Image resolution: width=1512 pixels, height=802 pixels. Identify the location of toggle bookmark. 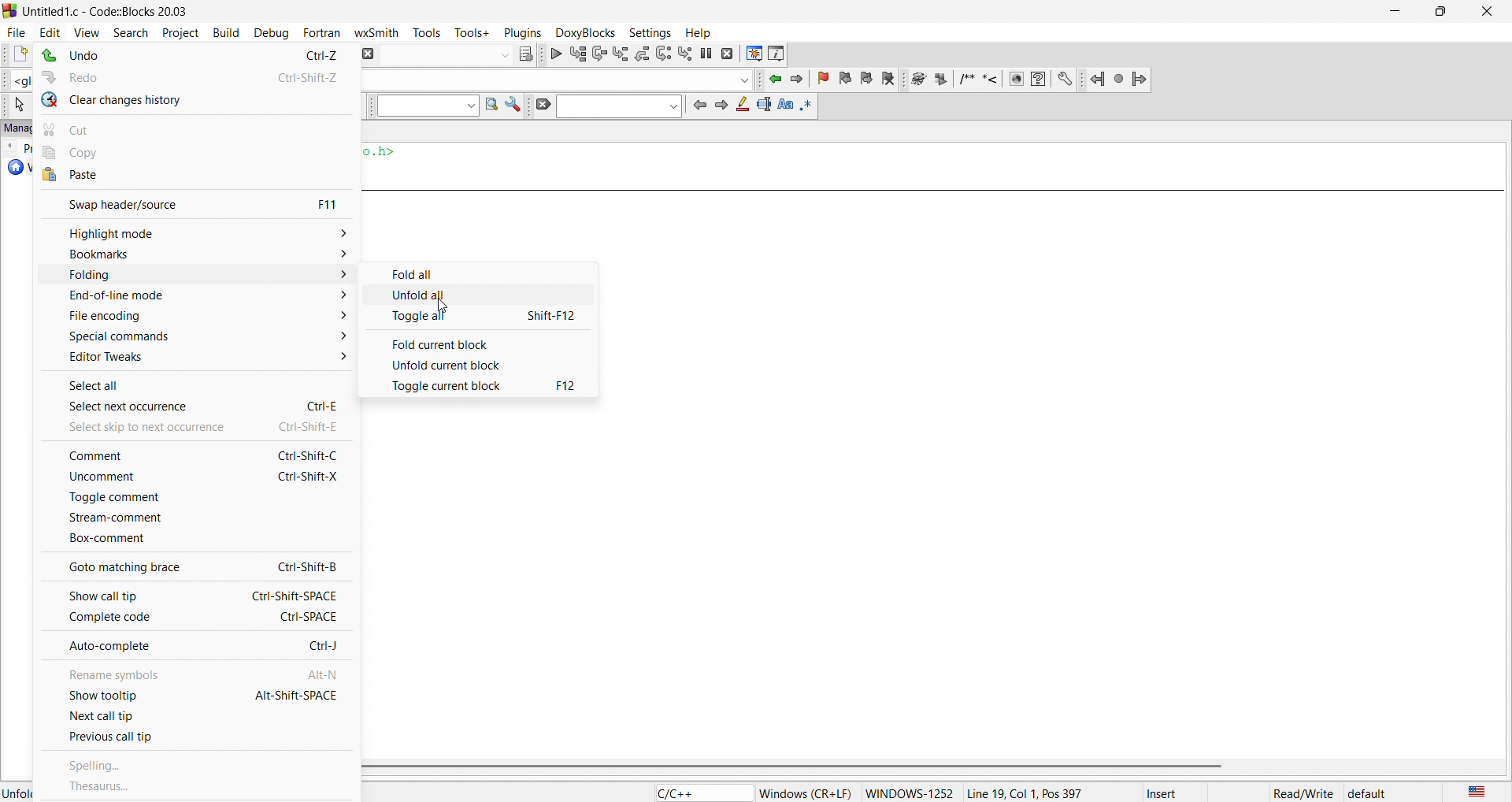
(826, 79).